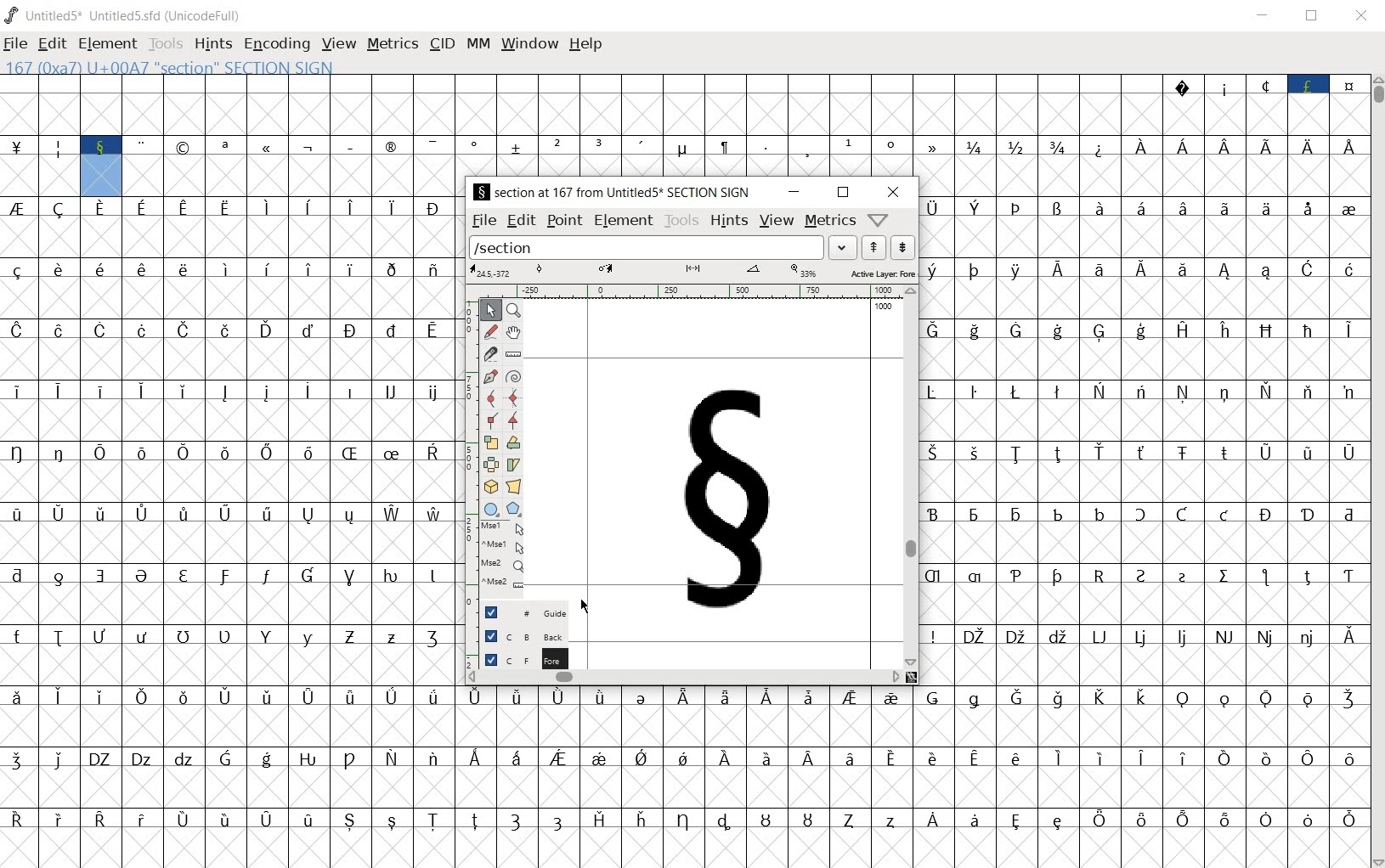 This screenshot has width=1385, height=868. I want to click on metrics, so click(829, 221).